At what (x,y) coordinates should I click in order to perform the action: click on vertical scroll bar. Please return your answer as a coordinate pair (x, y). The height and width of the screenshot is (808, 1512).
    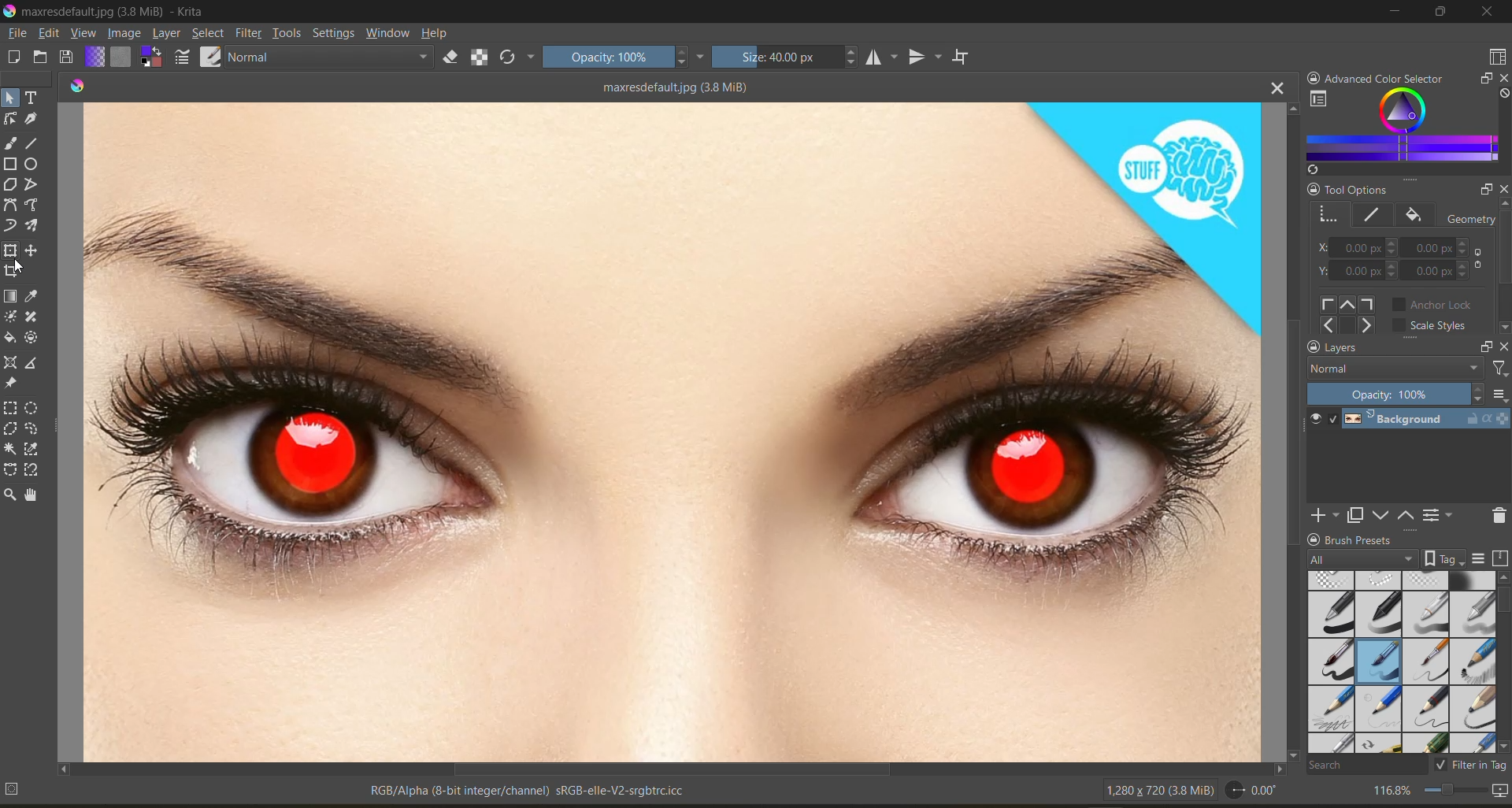
    Looking at the image, I should click on (1289, 430).